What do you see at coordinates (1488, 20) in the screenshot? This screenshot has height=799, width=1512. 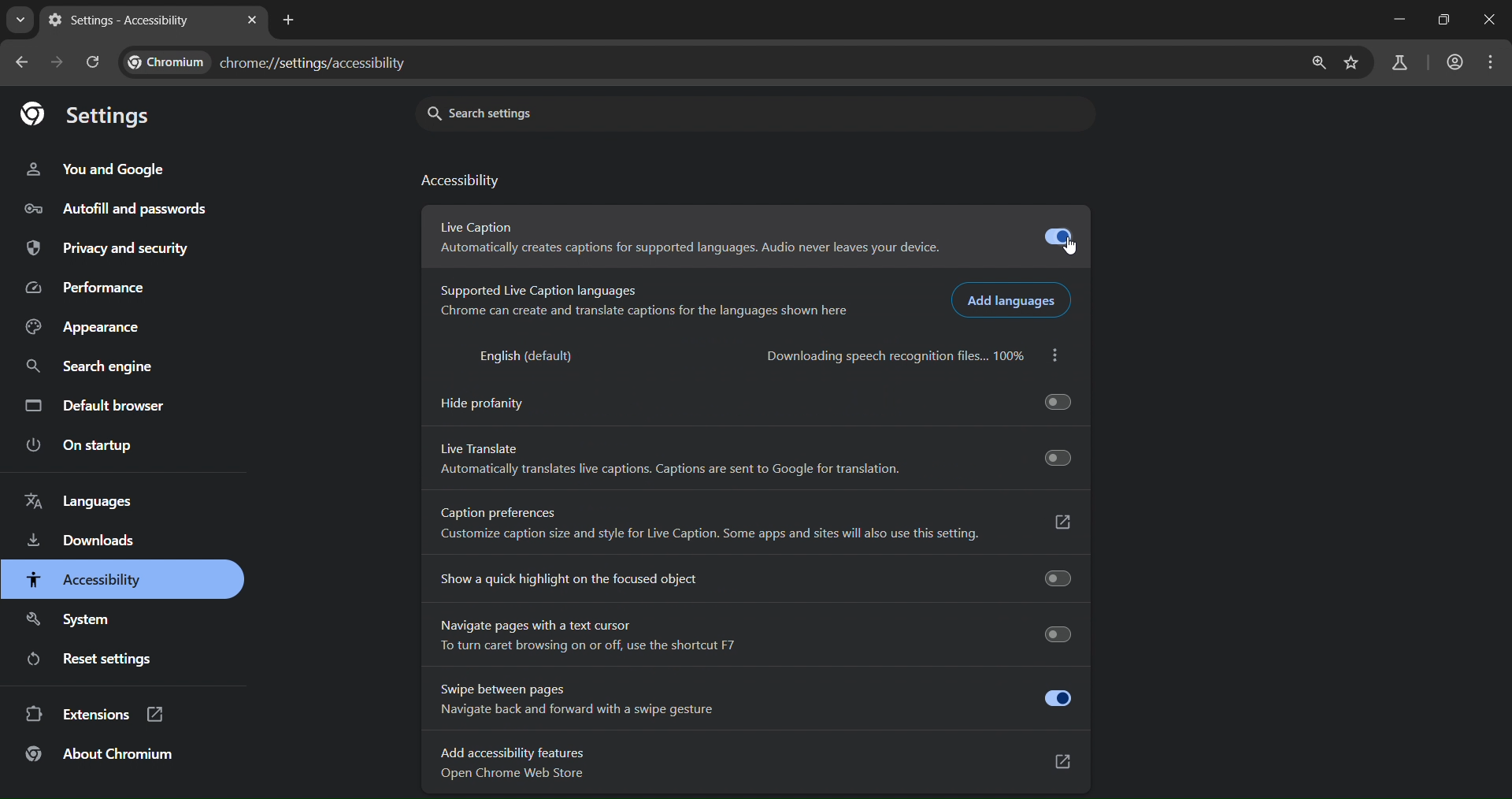 I see `close` at bounding box center [1488, 20].